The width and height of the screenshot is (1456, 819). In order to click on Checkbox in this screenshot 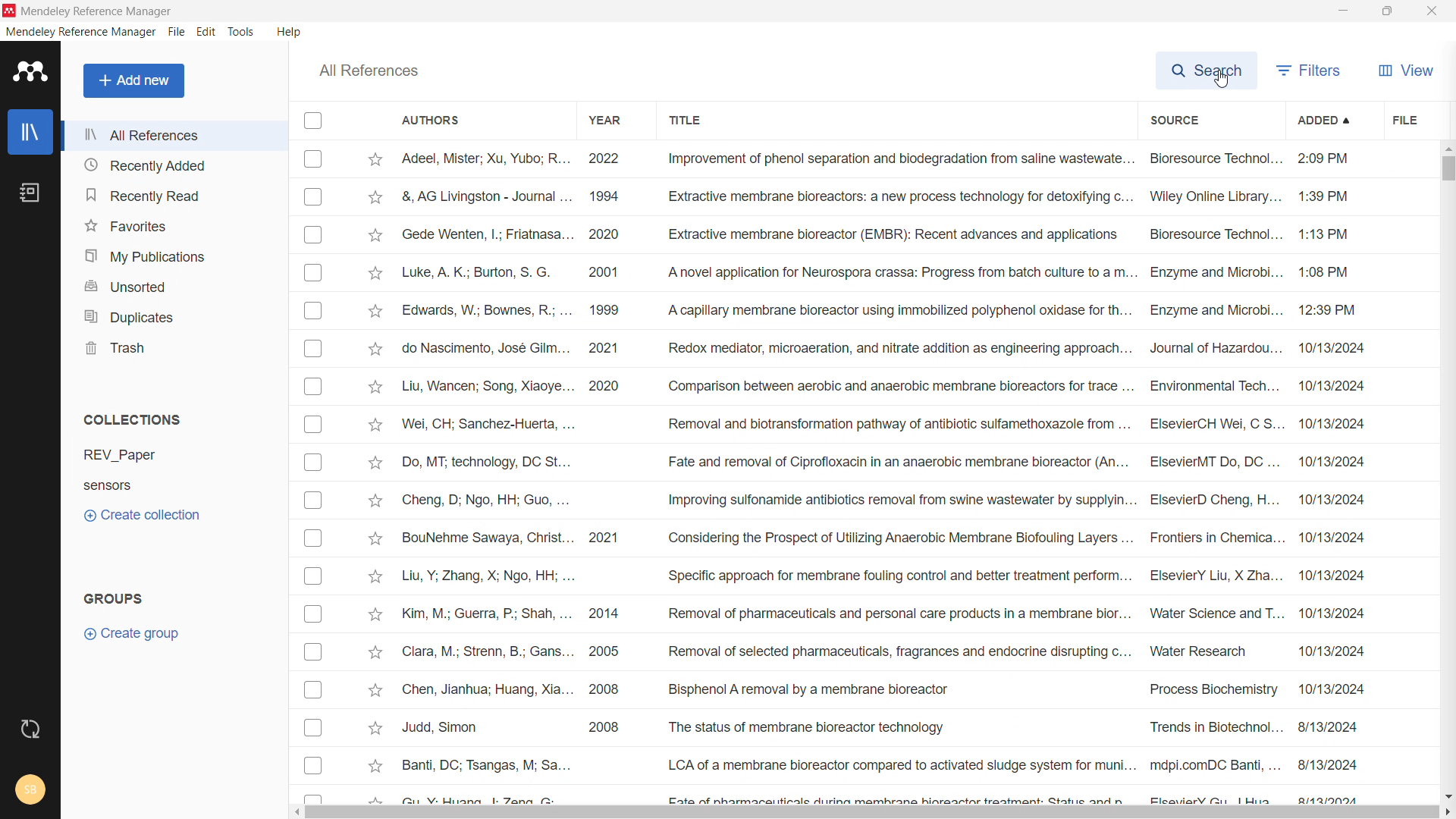, I will do `click(314, 541)`.